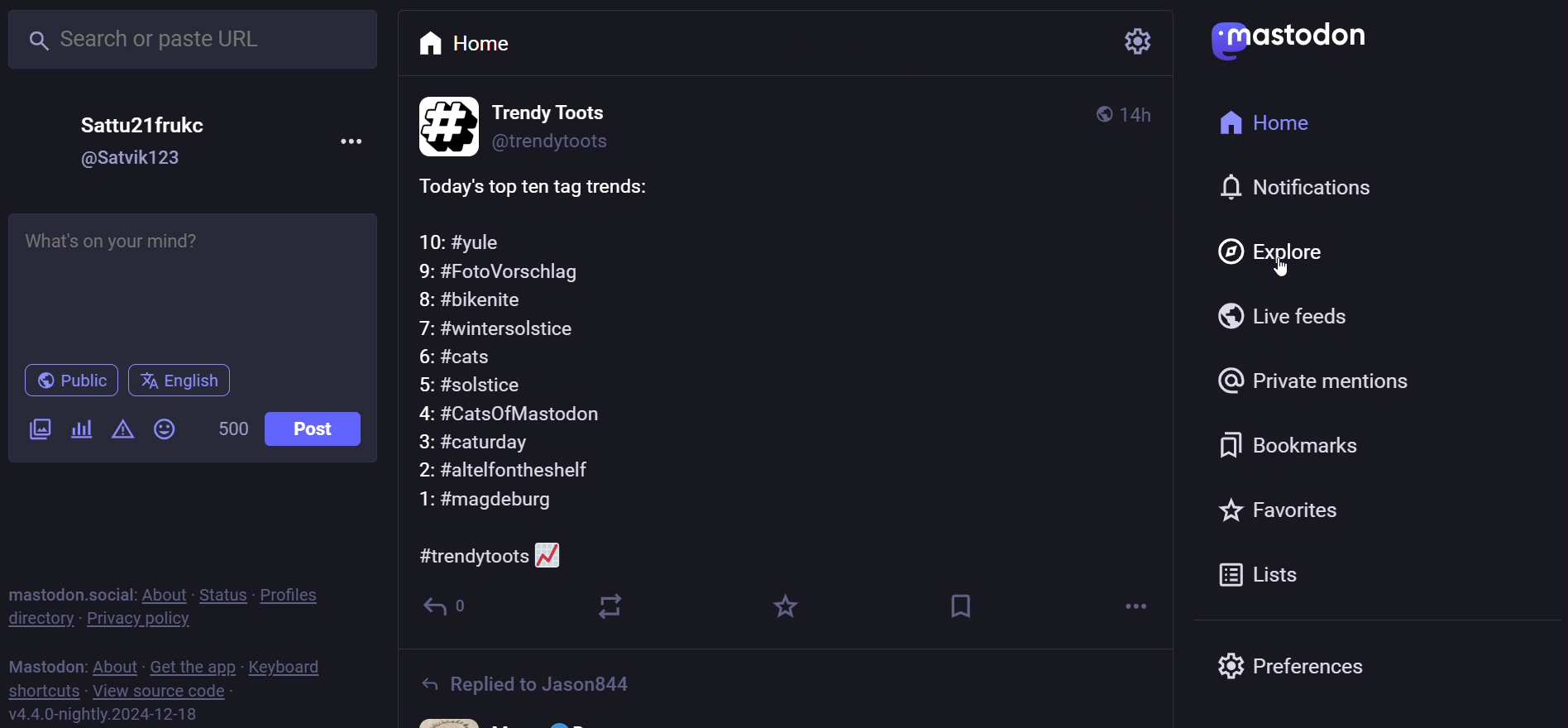  What do you see at coordinates (1139, 113) in the screenshot?
I see `14h` at bounding box center [1139, 113].